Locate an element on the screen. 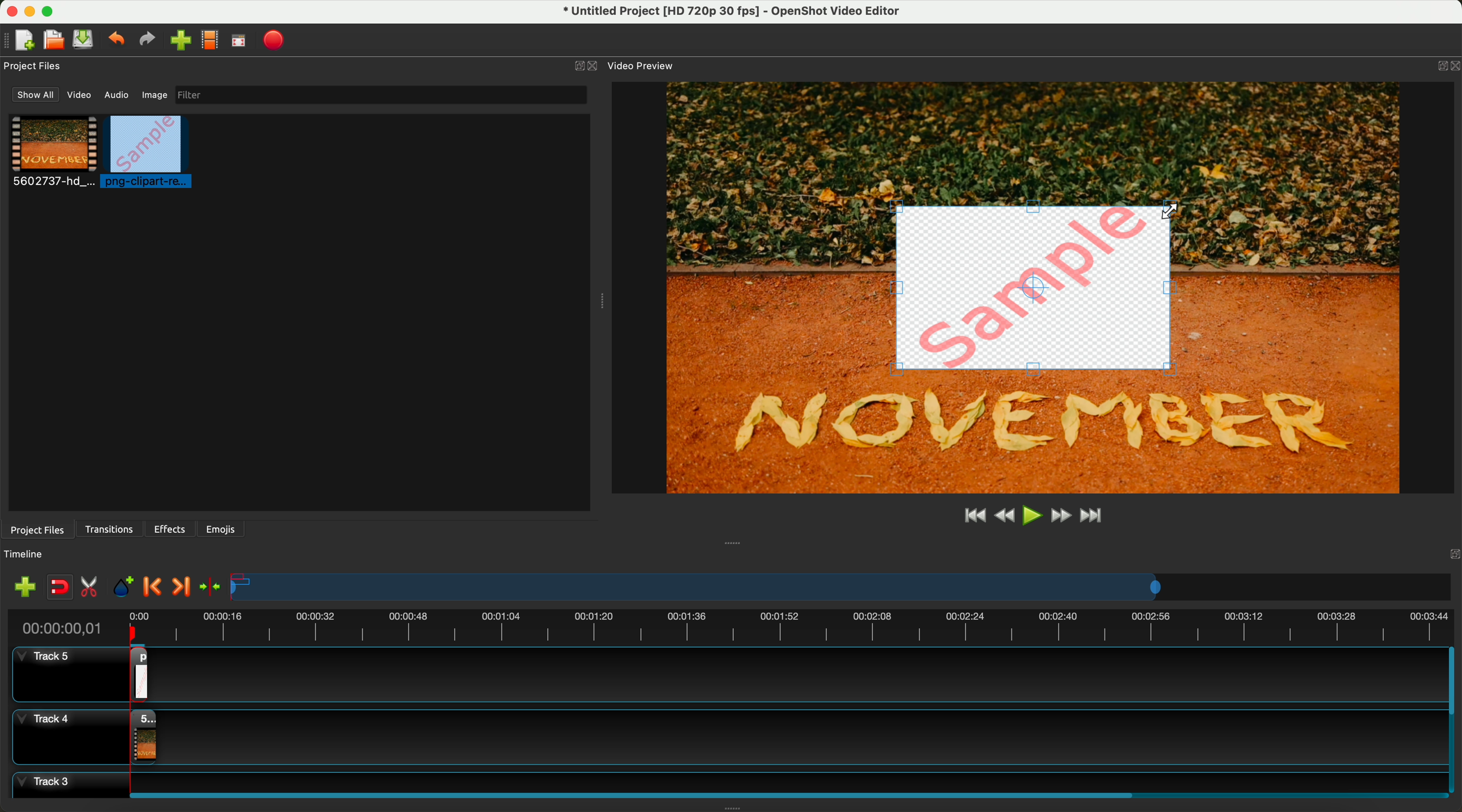 Image resolution: width=1462 pixels, height=812 pixels. play is located at coordinates (1032, 515).